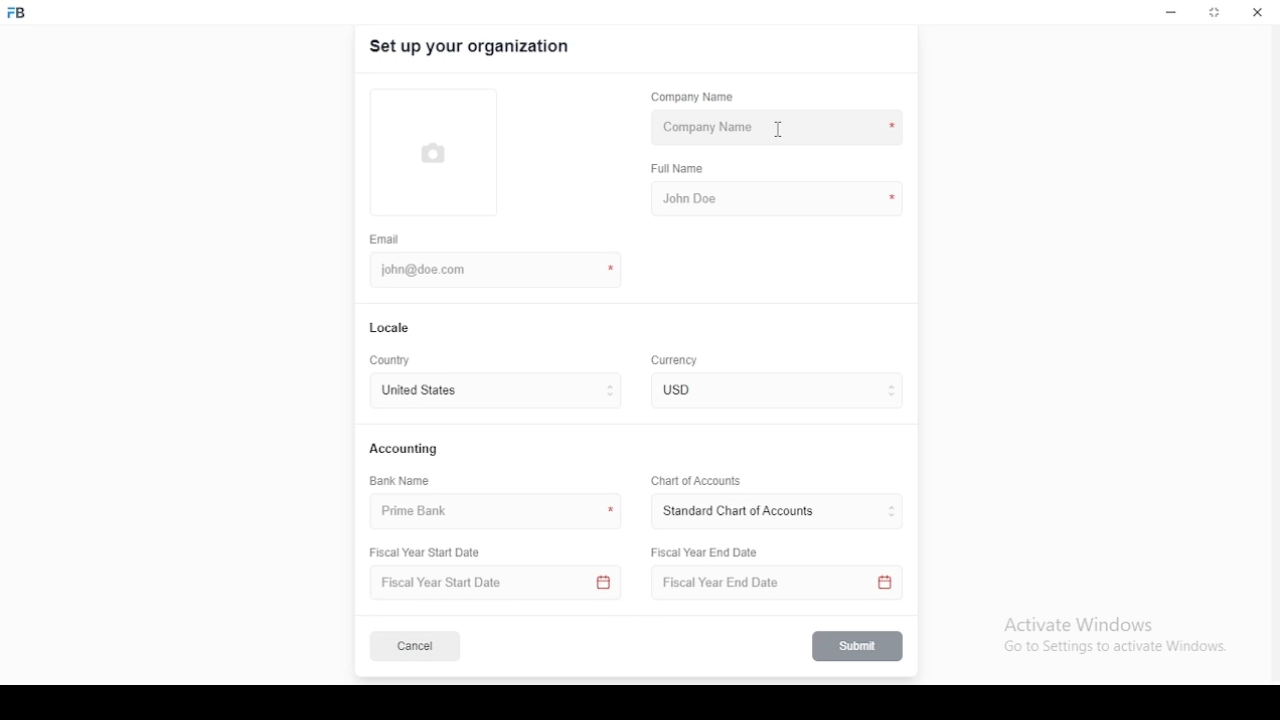  I want to click on company name, so click(779, 128).